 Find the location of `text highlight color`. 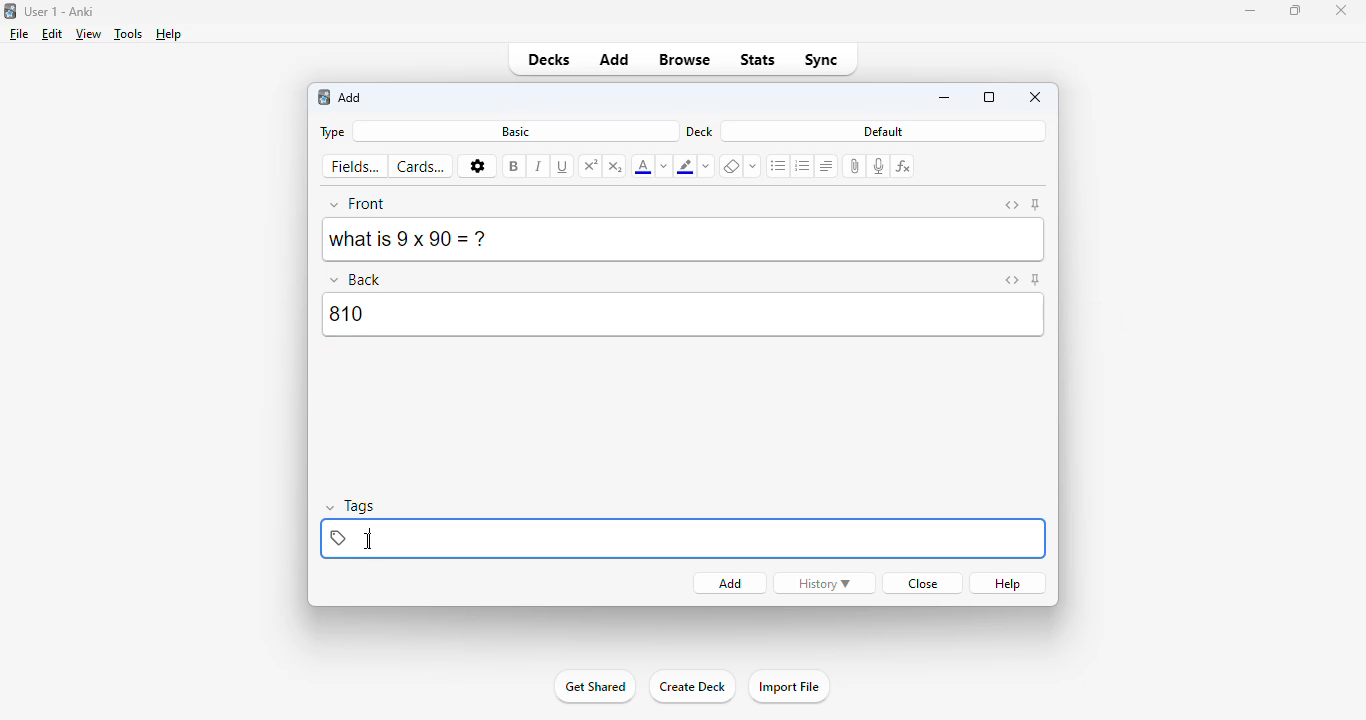

text highlight color is located at coordinates (686, 166).